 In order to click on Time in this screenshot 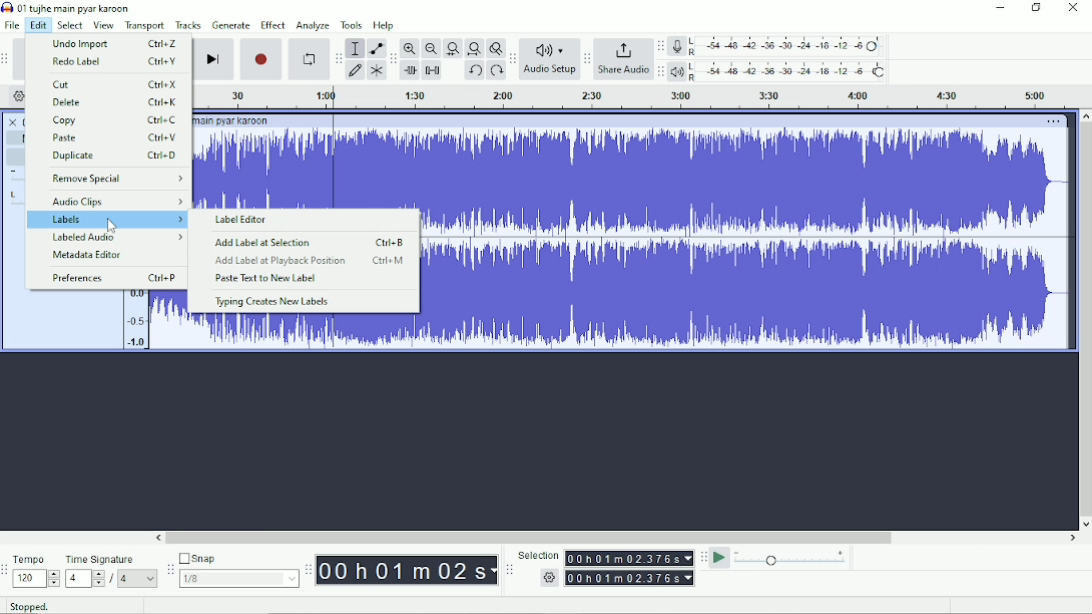, I will do `click(406, 570)`.